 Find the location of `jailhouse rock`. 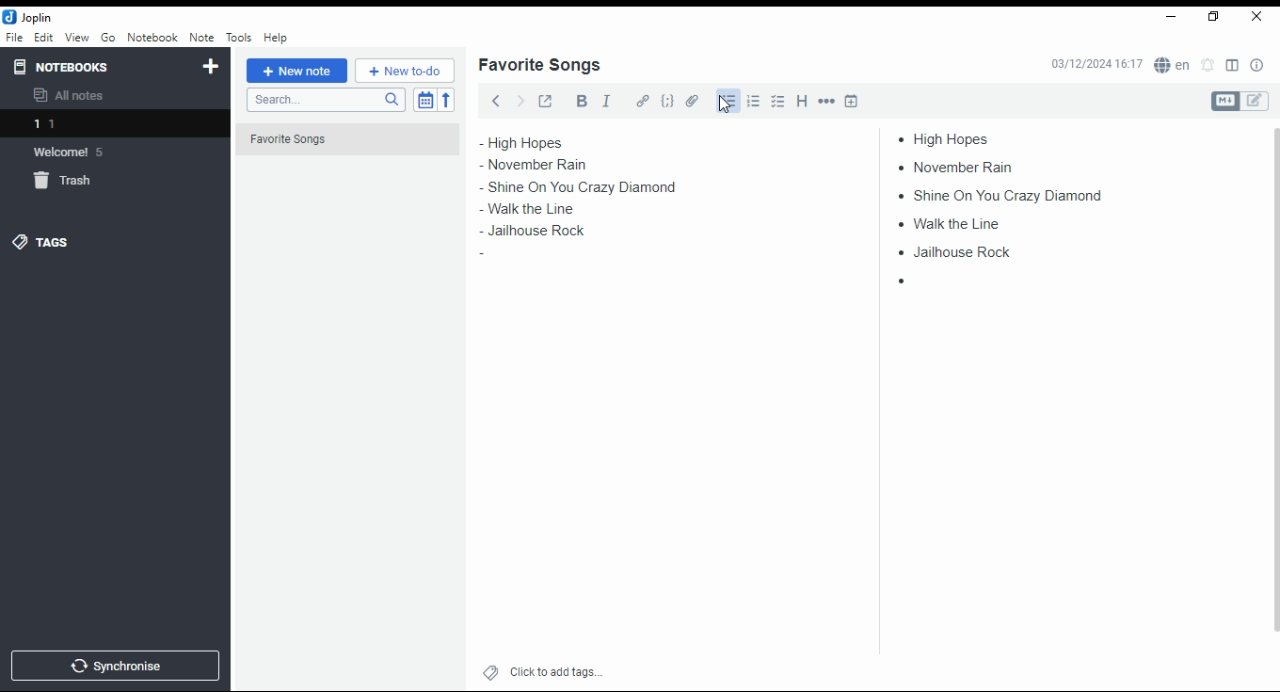

jailhouse rock is located at coordinates (958, 253).